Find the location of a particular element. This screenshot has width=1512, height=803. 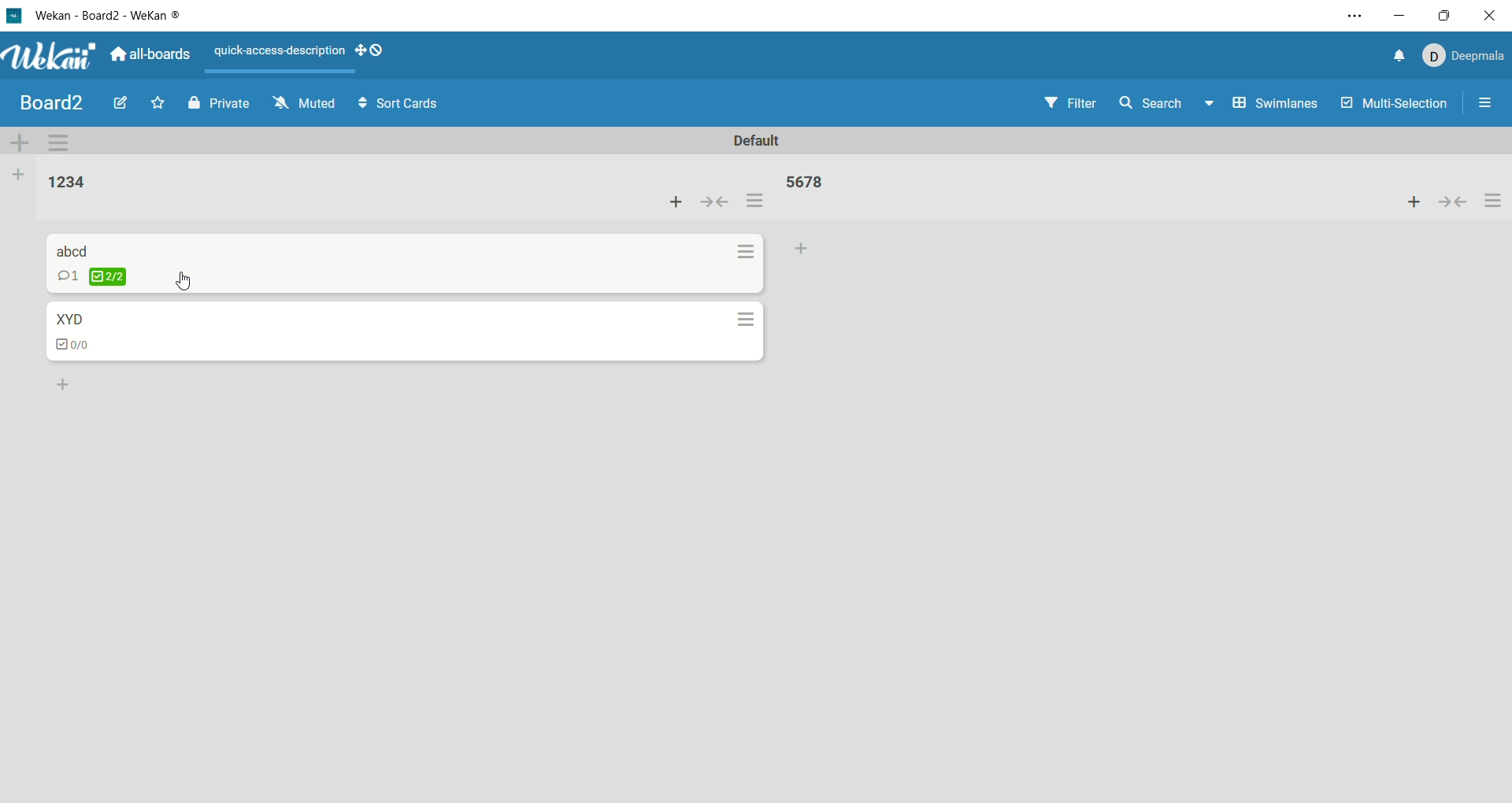

wekan is located at coordinates (50, 58).